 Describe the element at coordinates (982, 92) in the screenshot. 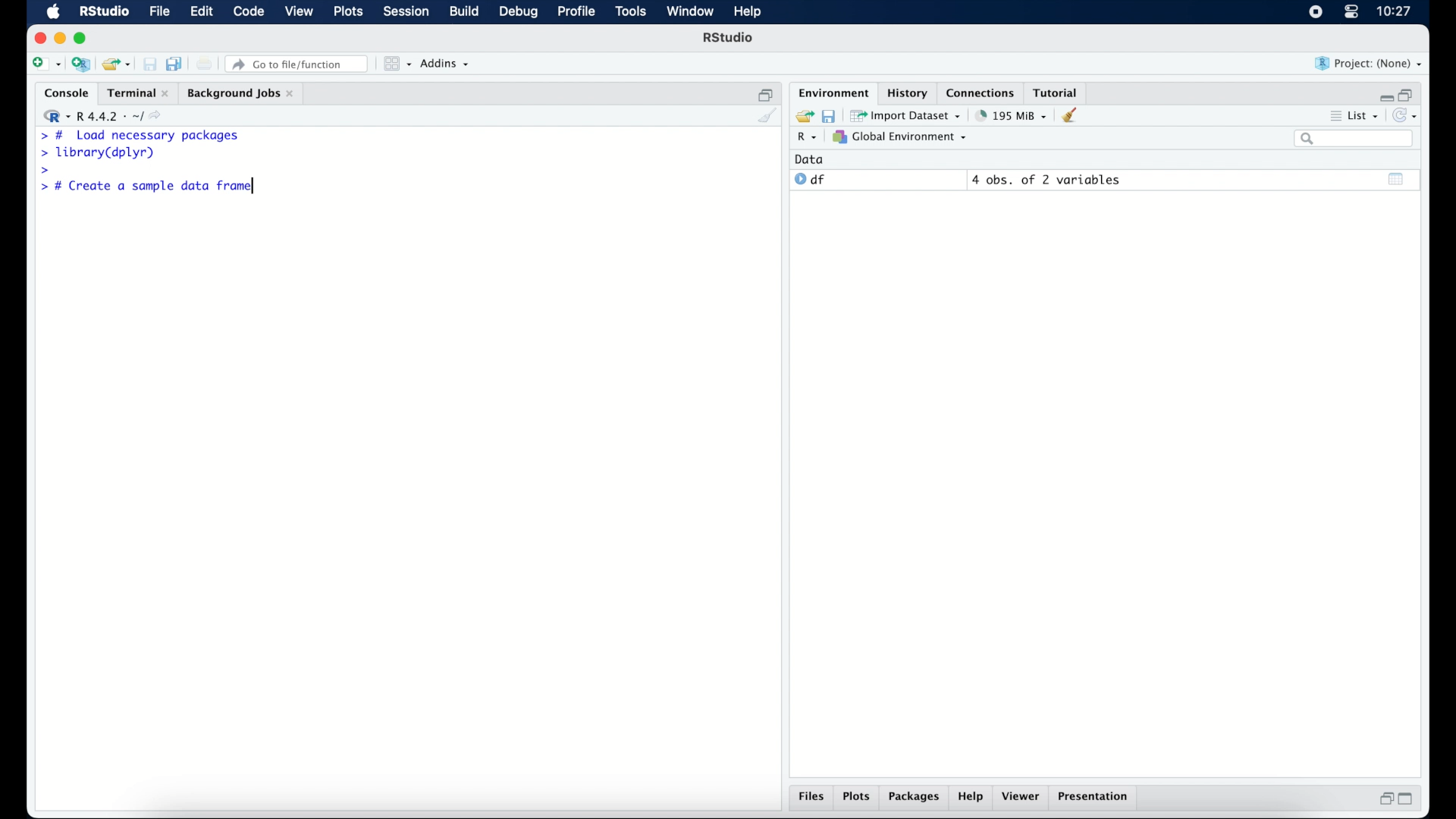

I see `connections` at that location.